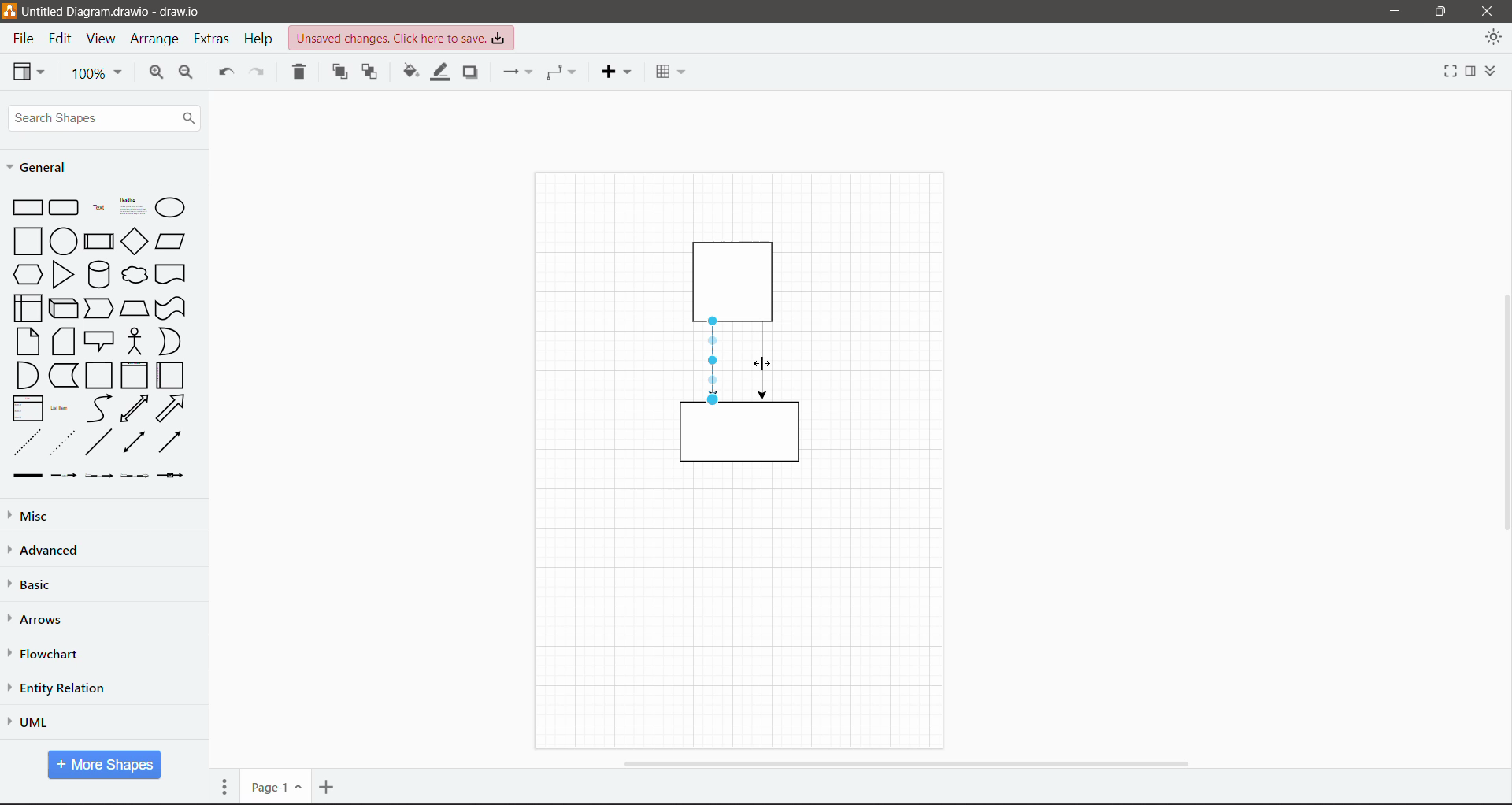 The image size is (1512, 805). I want to click on link, so click(24, 476).